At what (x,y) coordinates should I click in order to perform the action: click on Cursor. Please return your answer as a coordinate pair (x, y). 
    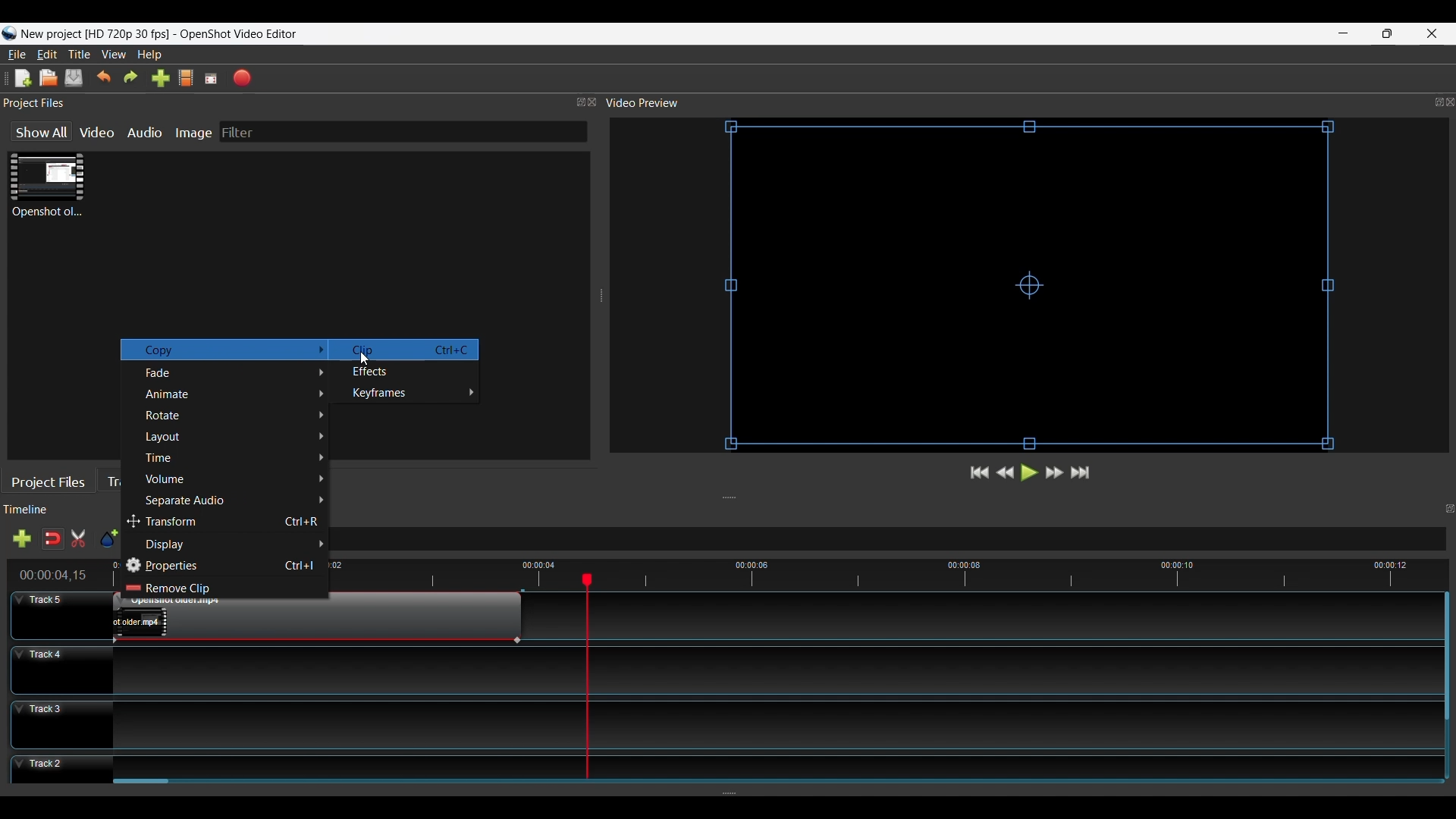
    Looking at the image, I should click on (369, 356).